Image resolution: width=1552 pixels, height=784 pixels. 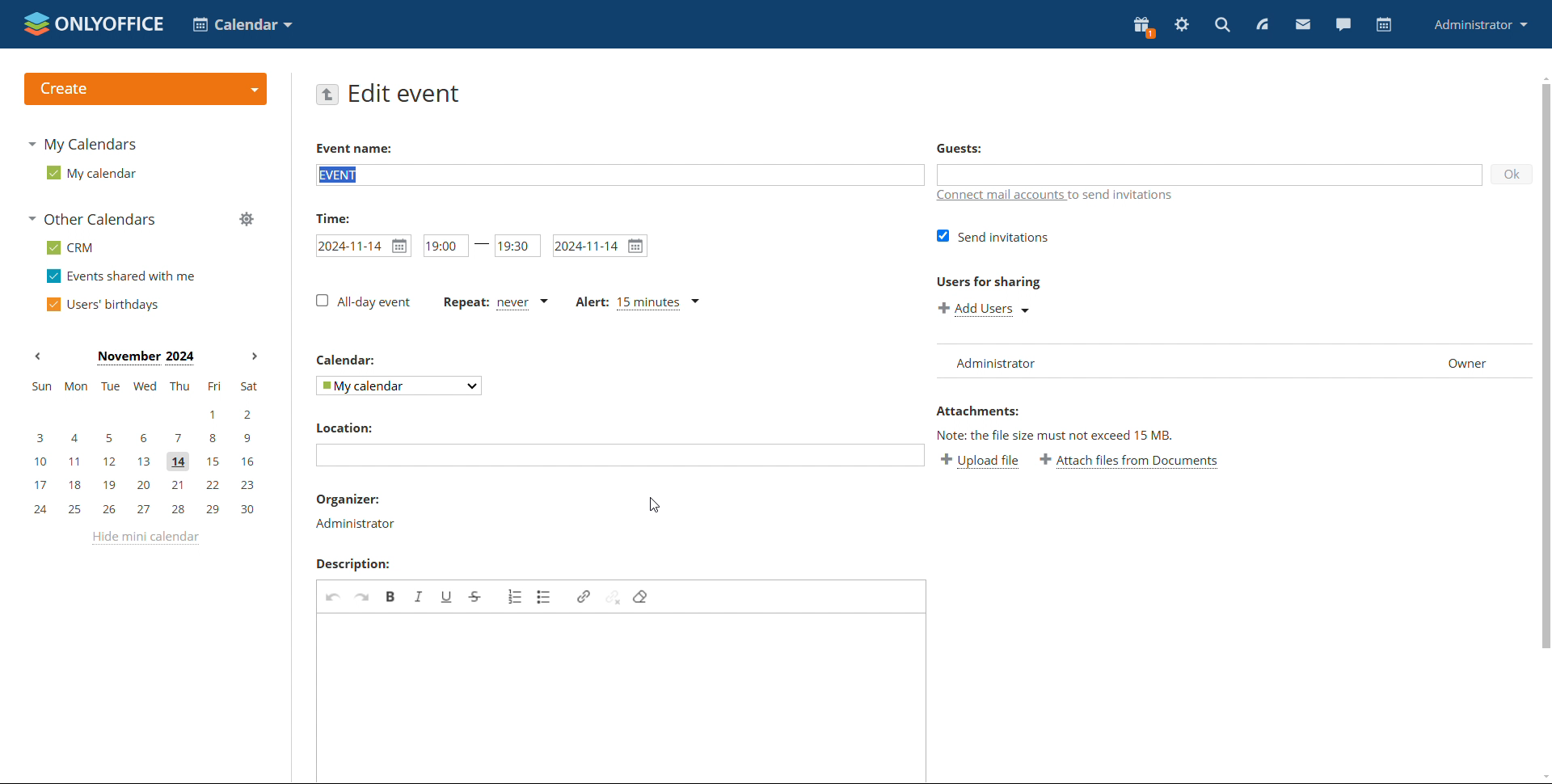 I want to click on next month, so click(x=255, y=357).